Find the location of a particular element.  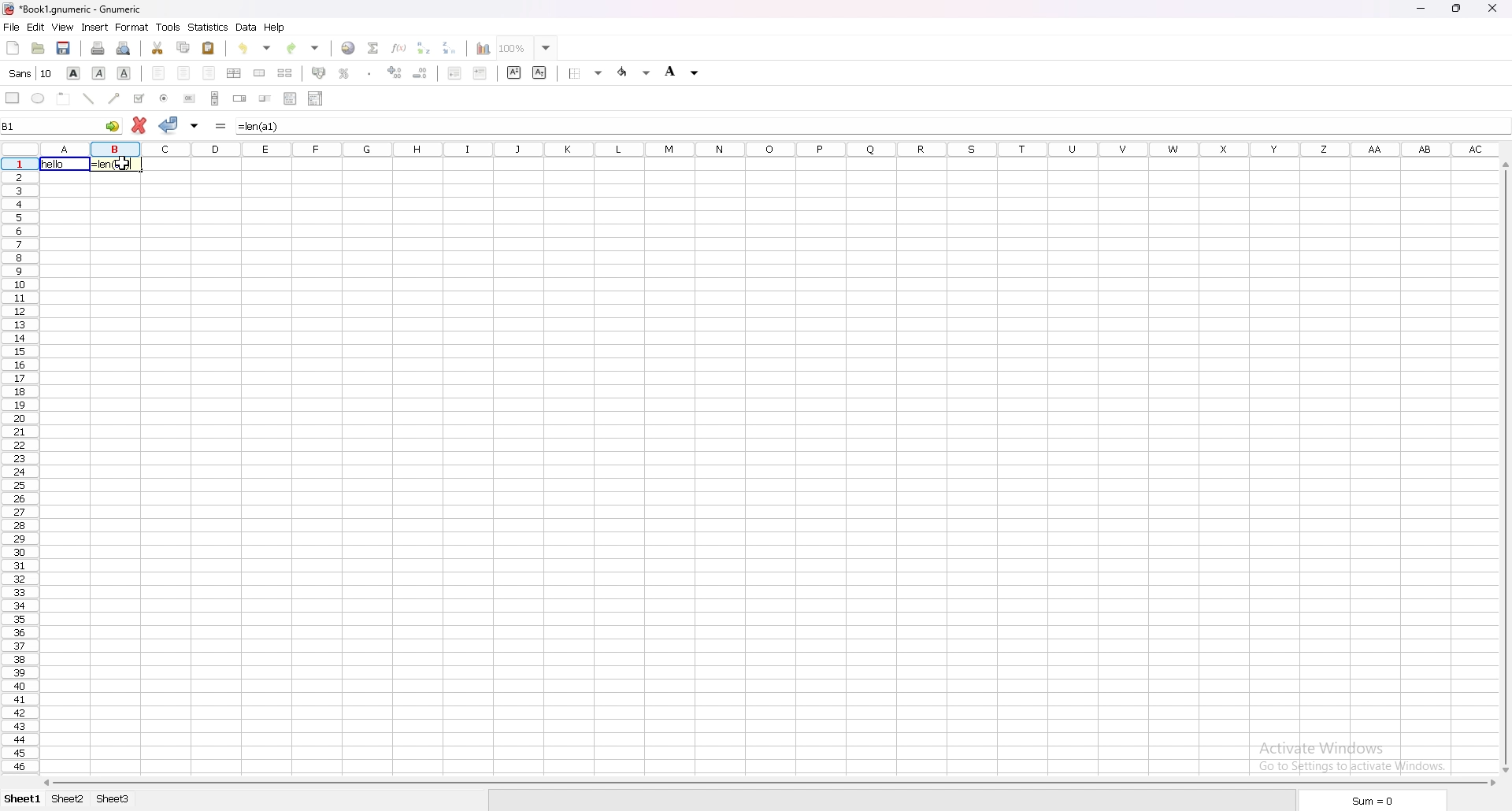

background is located at coordinates (633, 73).